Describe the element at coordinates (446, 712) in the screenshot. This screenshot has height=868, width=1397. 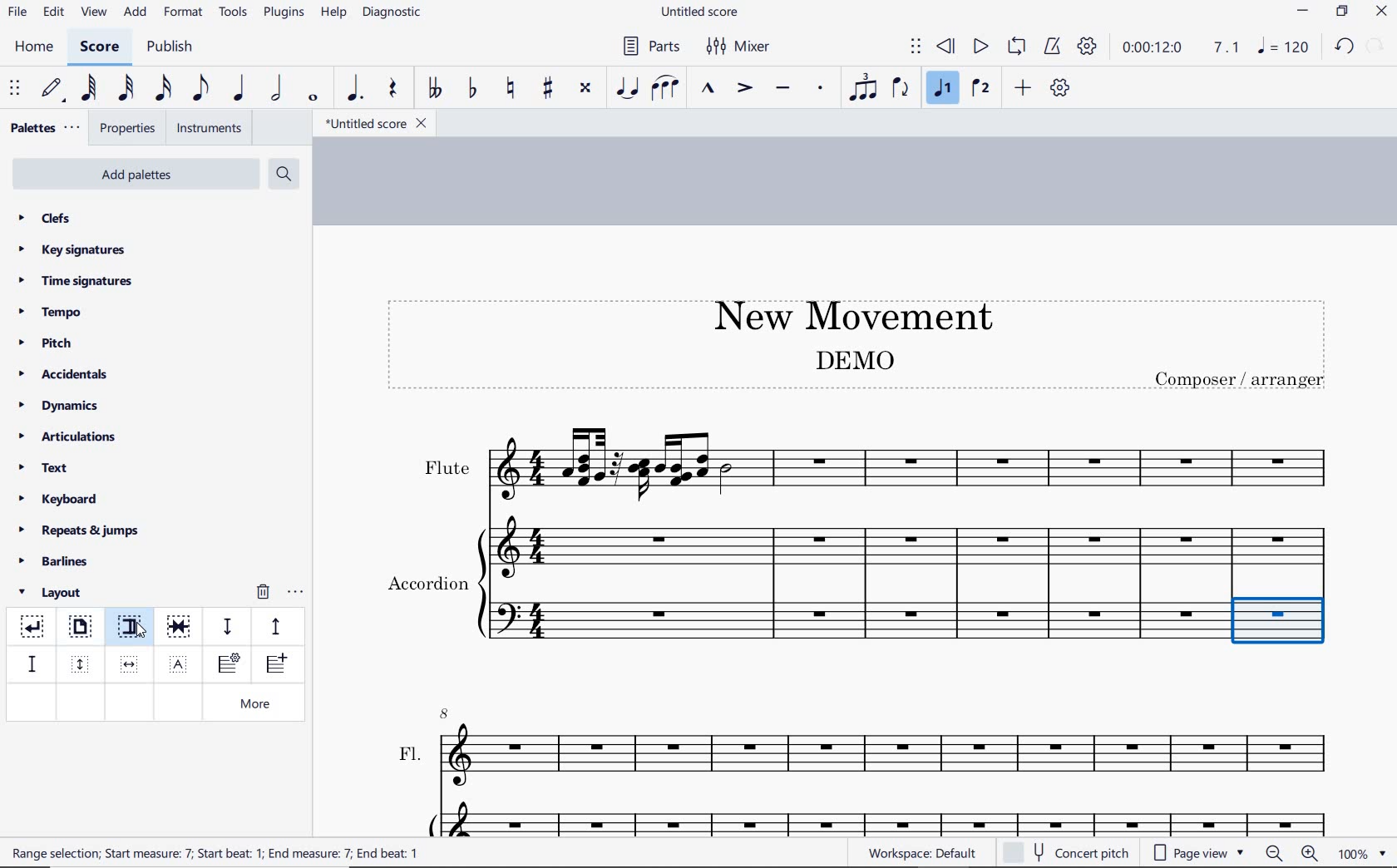
I see `8` at that location.